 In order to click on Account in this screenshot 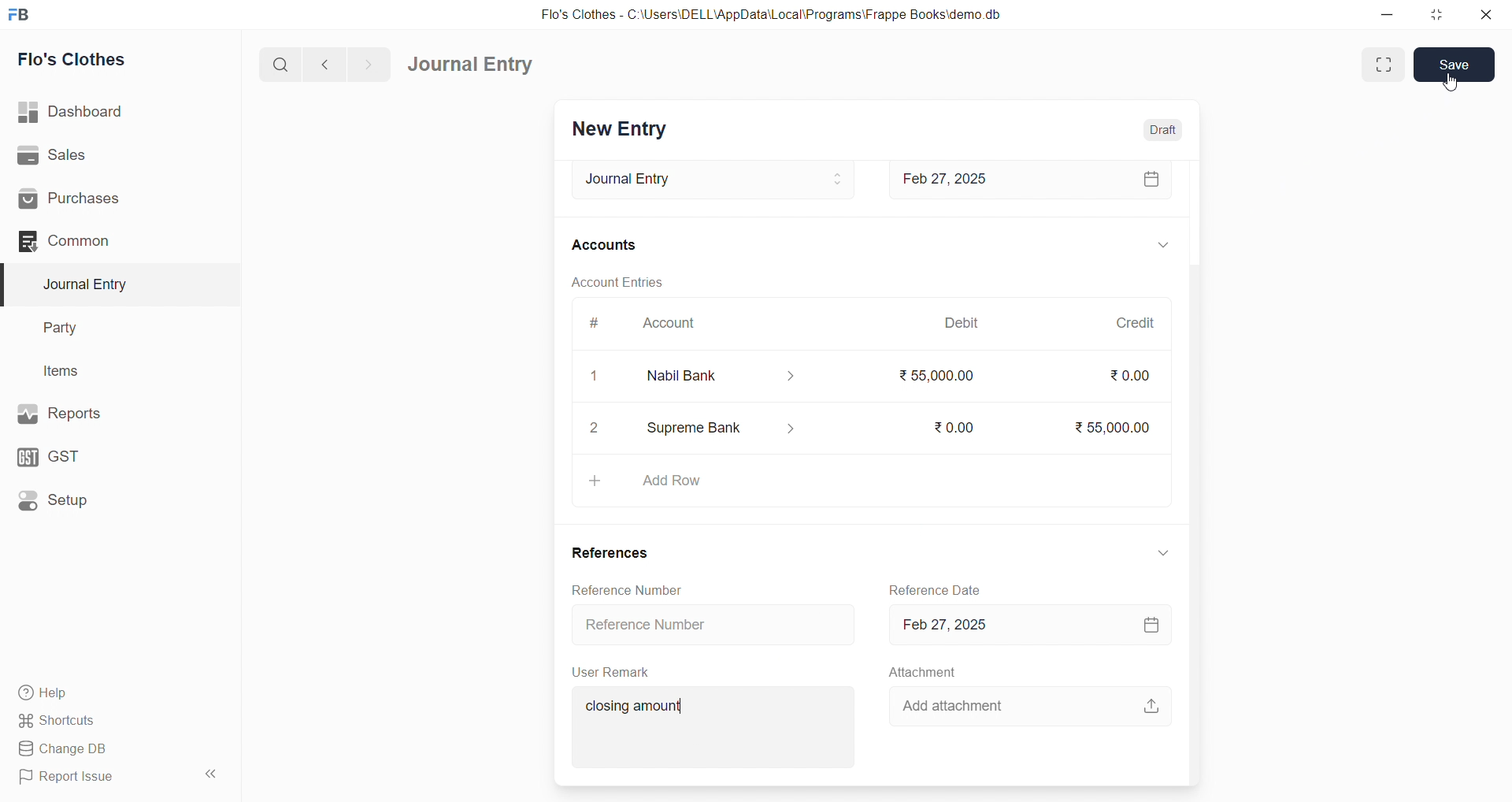, I will do `click(674, 326)`.